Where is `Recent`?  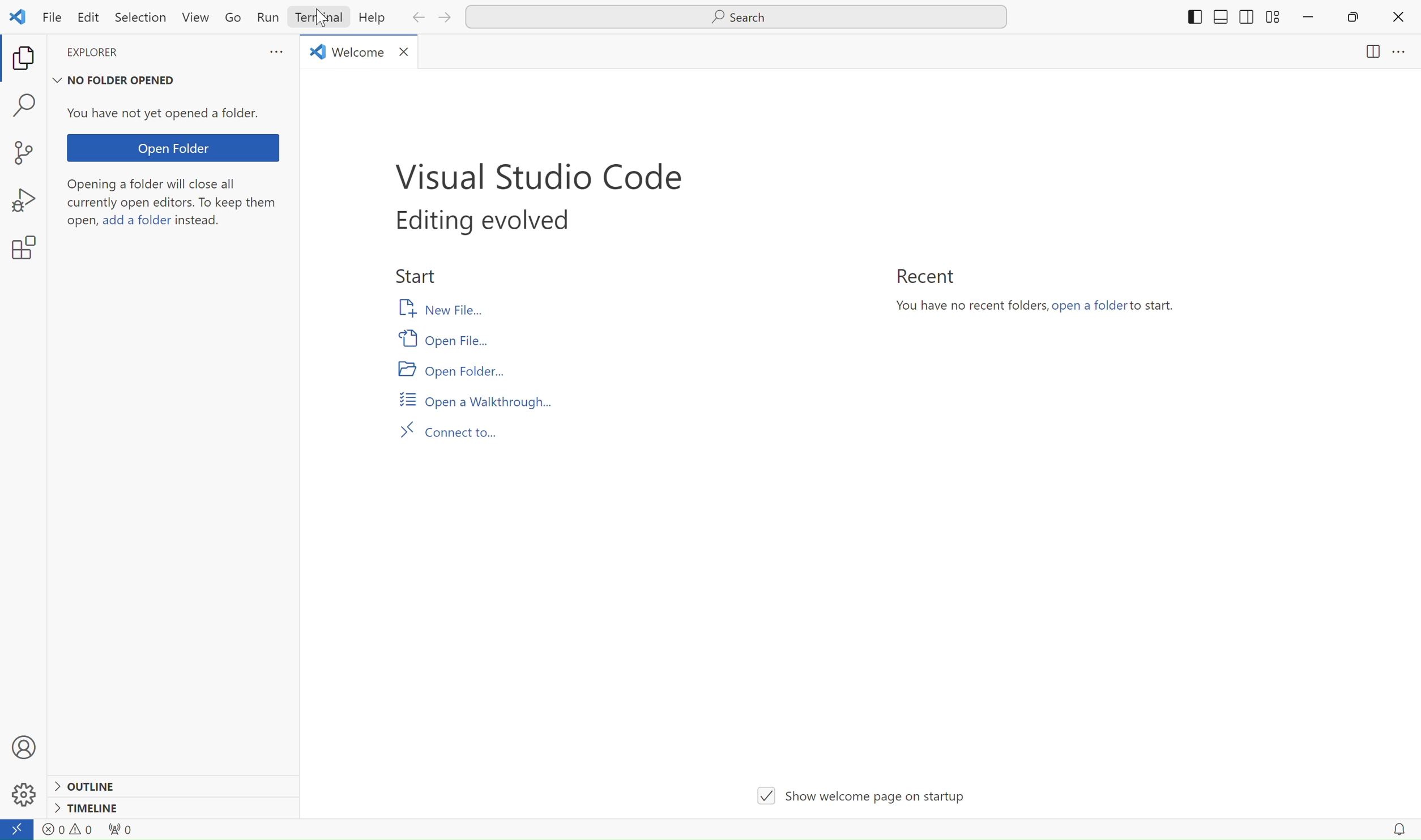 Recent is located at coordinates (928, 276).